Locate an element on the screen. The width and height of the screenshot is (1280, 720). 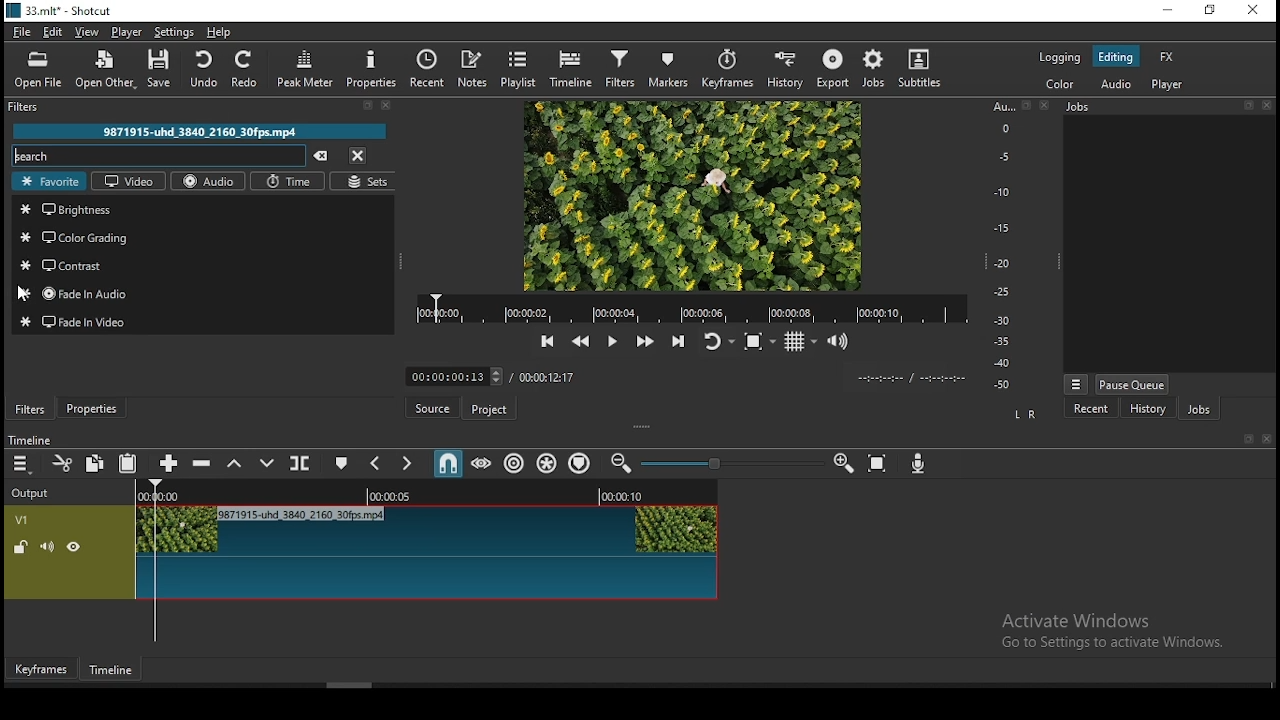
time is located at coordinates (289, 181).